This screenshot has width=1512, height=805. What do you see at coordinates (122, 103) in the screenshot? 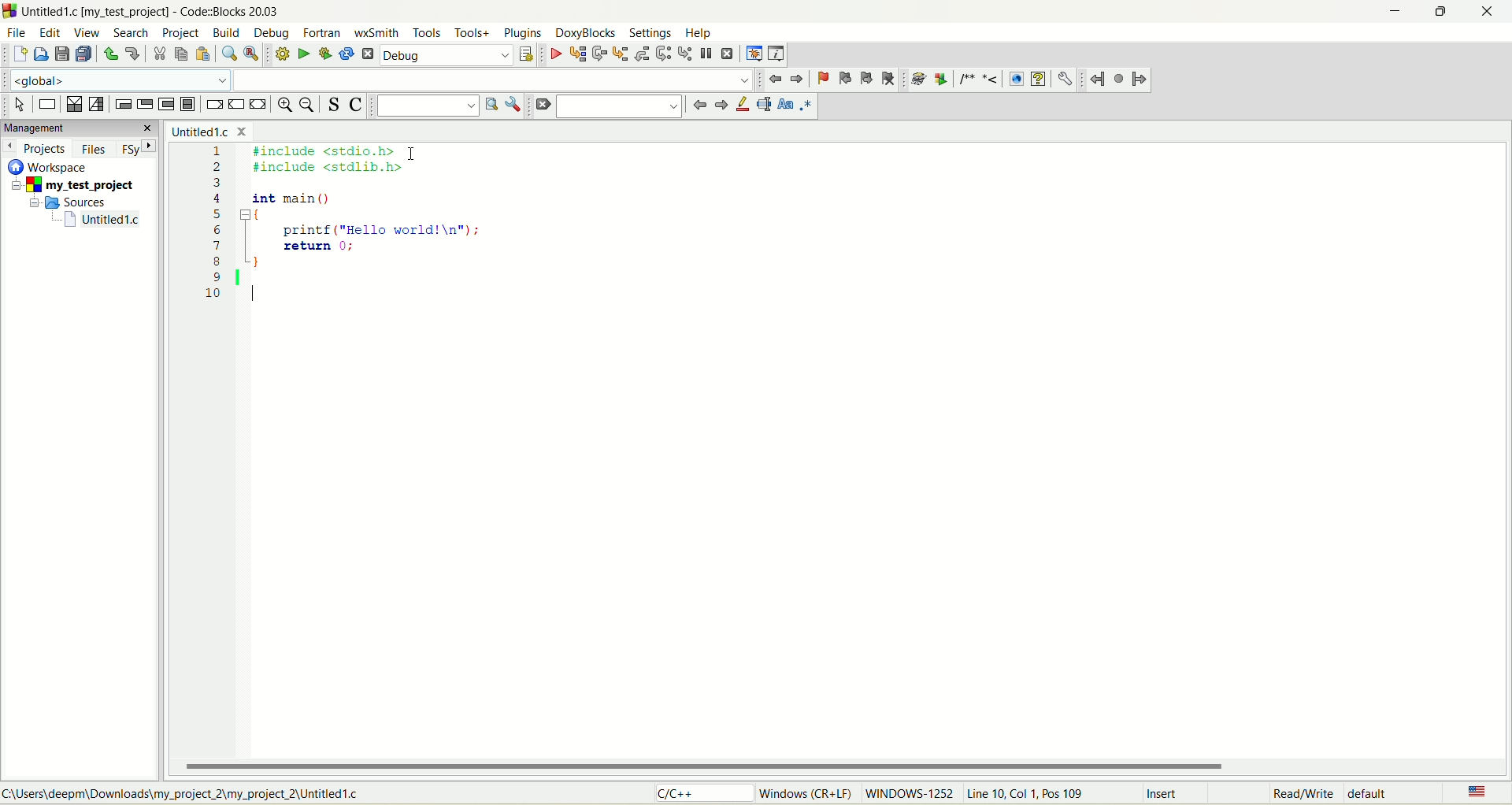
I see `entry condition loop` at bounding box center [122, 103].